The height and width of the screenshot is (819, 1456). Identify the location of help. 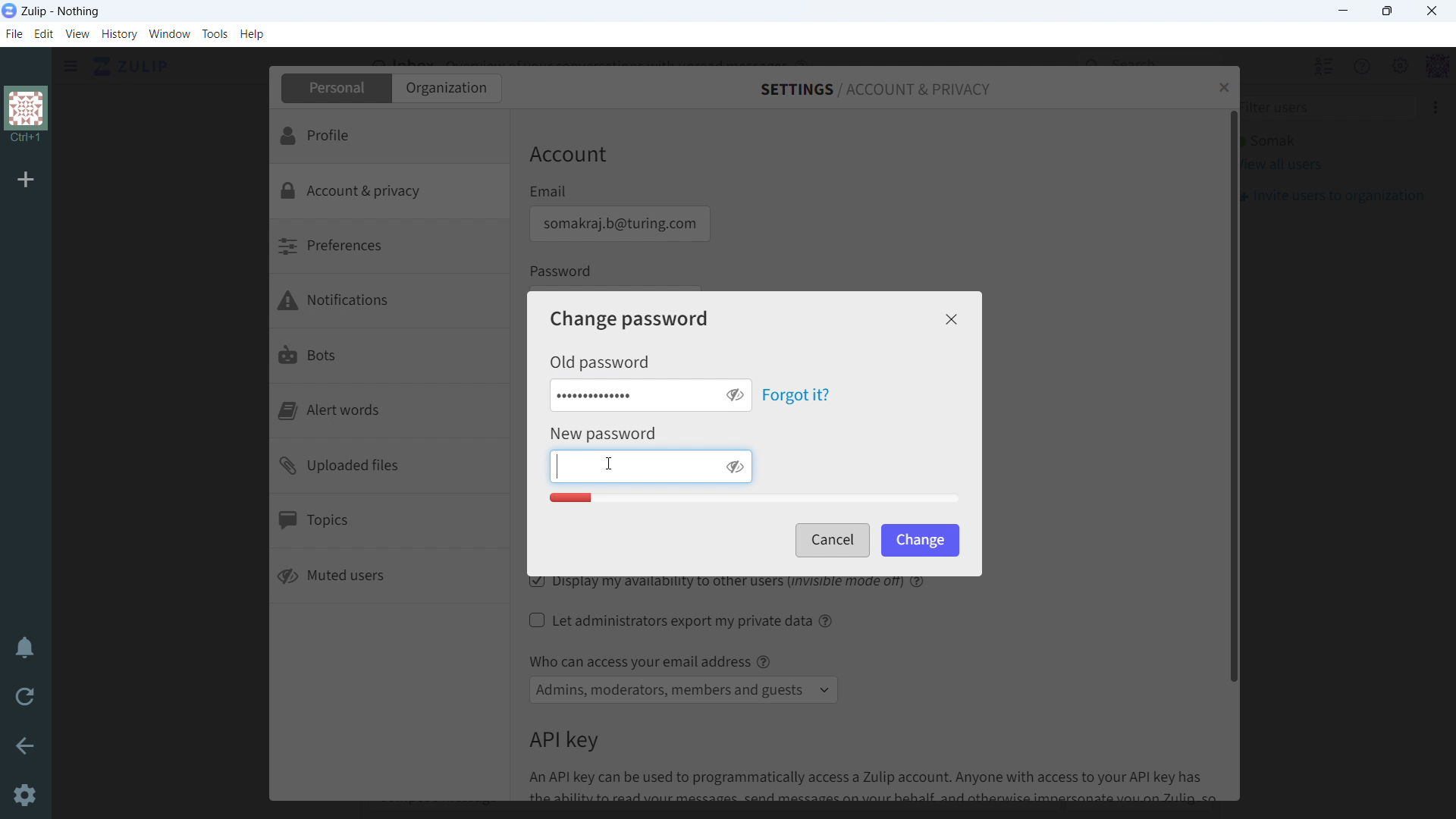
(827, 620).